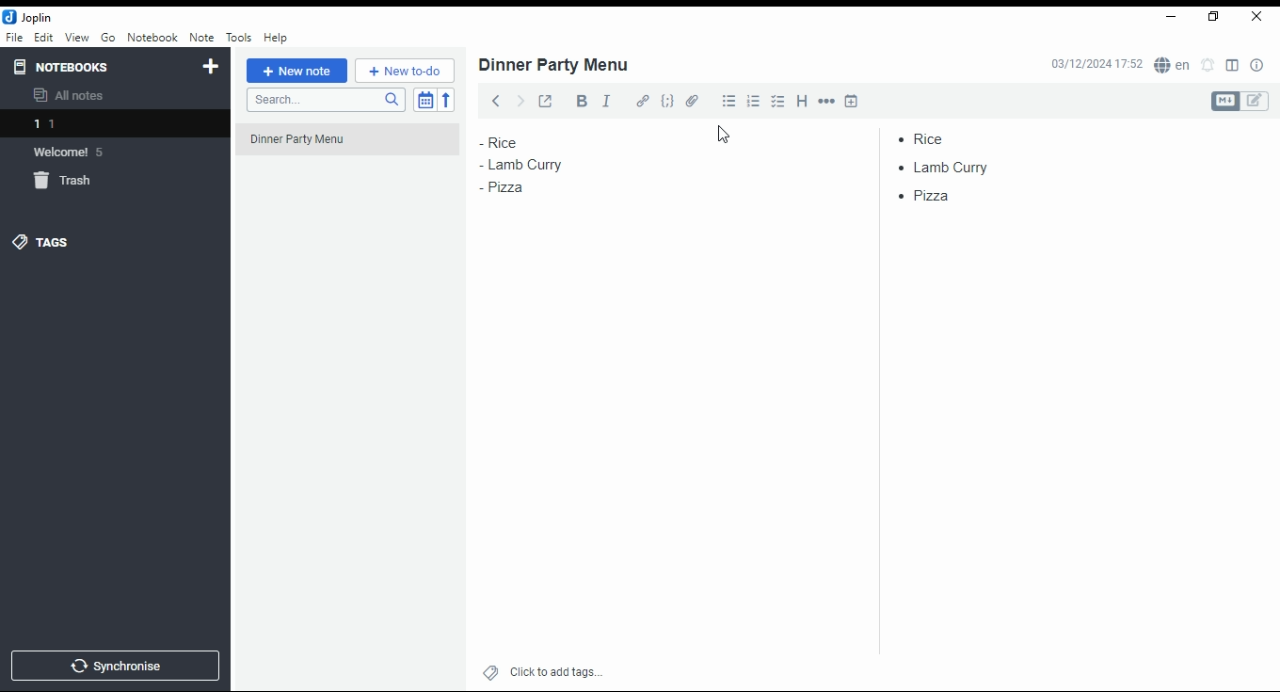 Image resolution: width=1280 pixels, height=692 pixels. I want to click on tools, so click(238, 36).